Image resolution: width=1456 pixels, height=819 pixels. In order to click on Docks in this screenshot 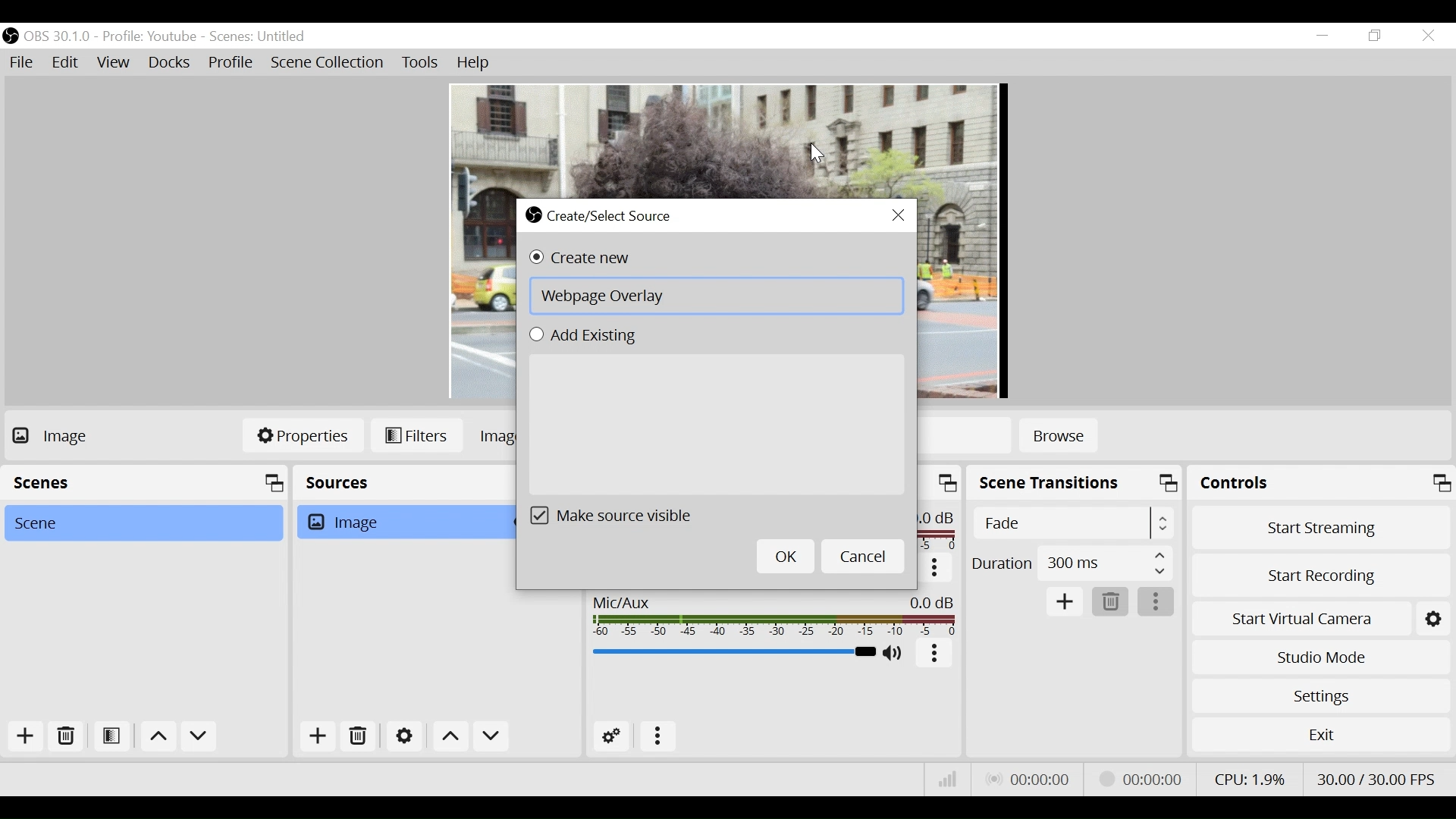, I will do `click(169, 64)`.